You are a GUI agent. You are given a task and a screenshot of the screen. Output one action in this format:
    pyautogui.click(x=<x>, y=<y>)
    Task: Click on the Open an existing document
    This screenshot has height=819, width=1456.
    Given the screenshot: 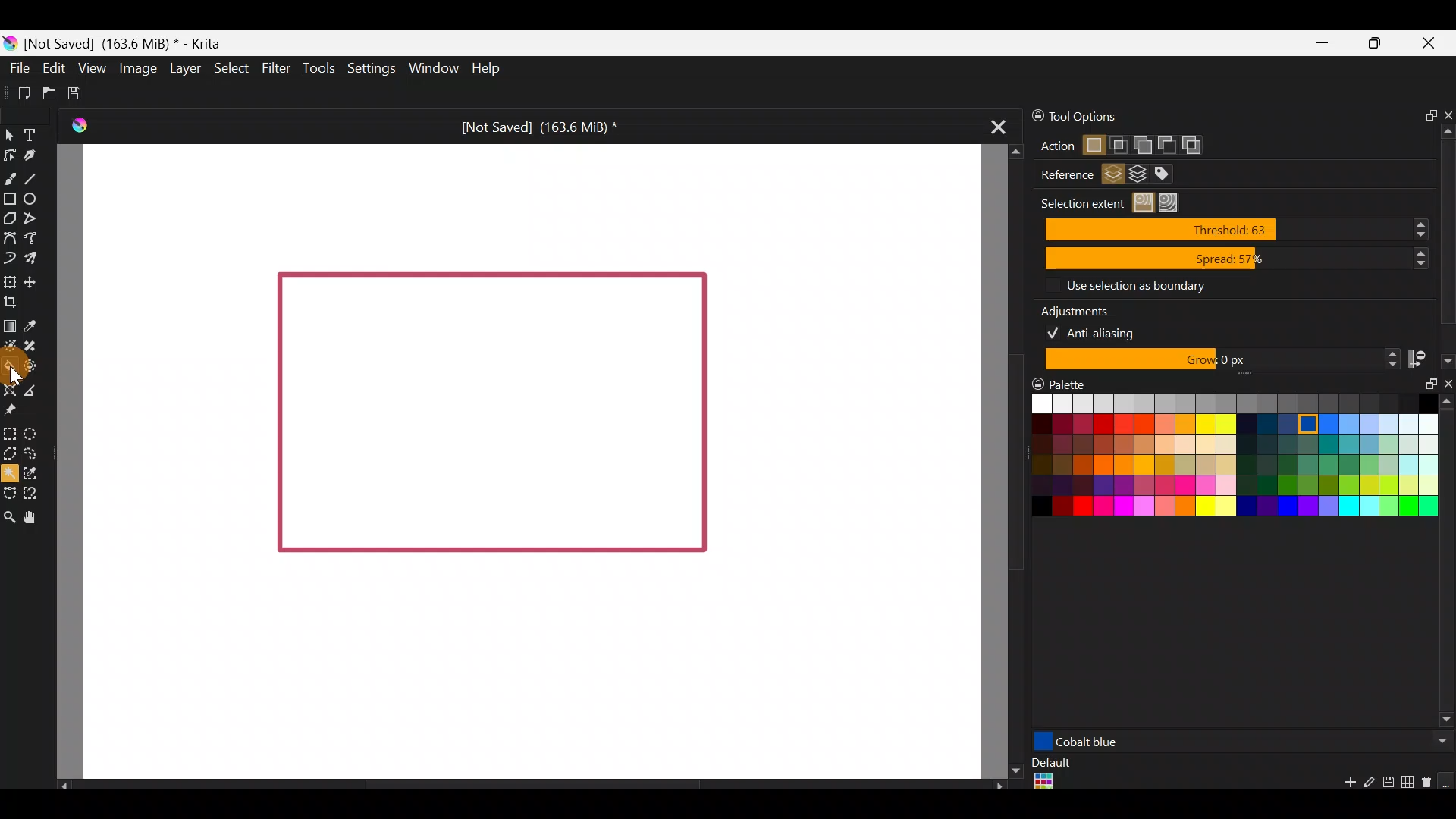 What is the action you would take?
    pyautogui.click(x=49, y=91)
    